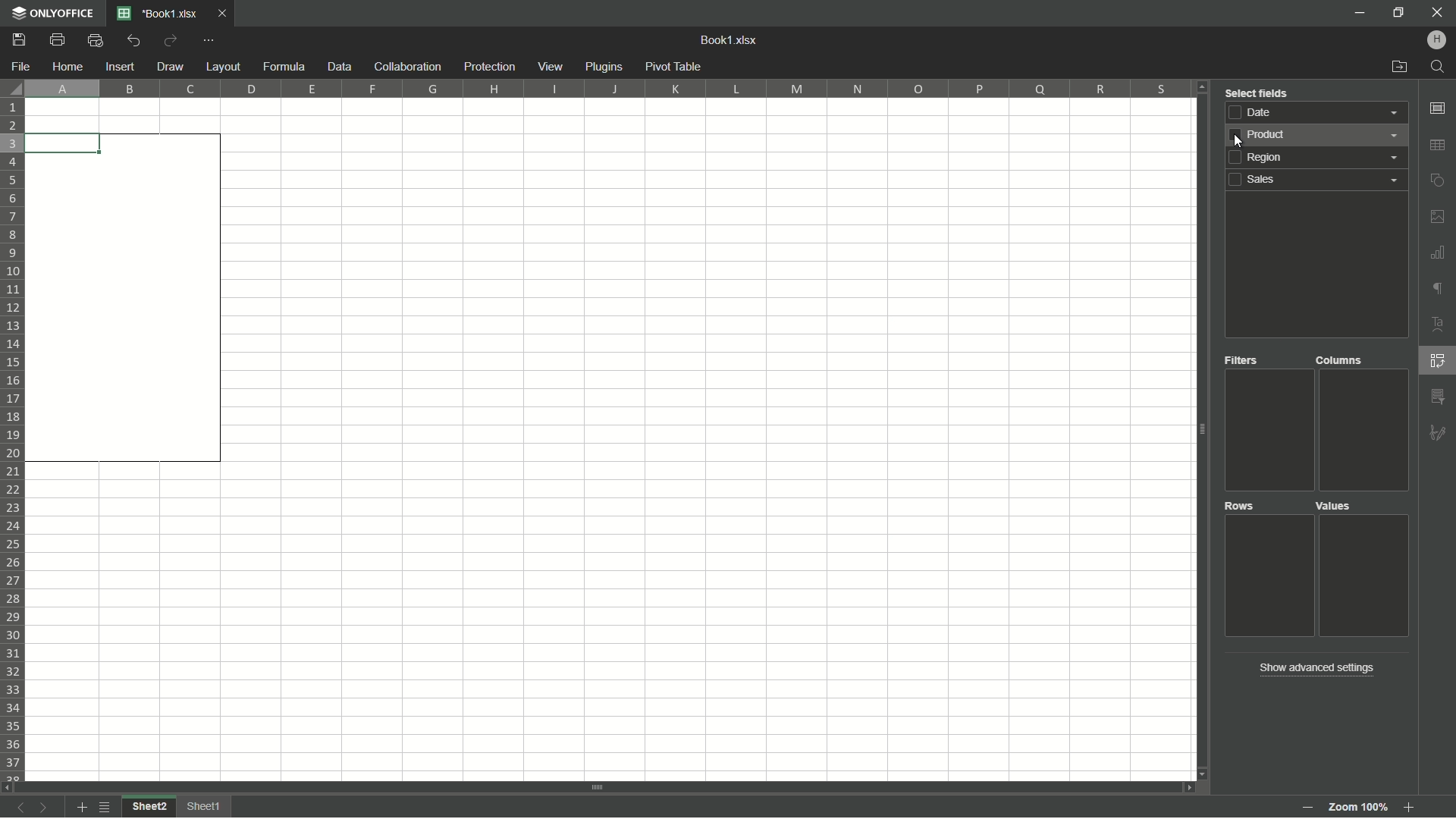  What do you see at coordinates (106, 806) in the screenshot?
I see `list of sheets` at bounding box center [106, 806].